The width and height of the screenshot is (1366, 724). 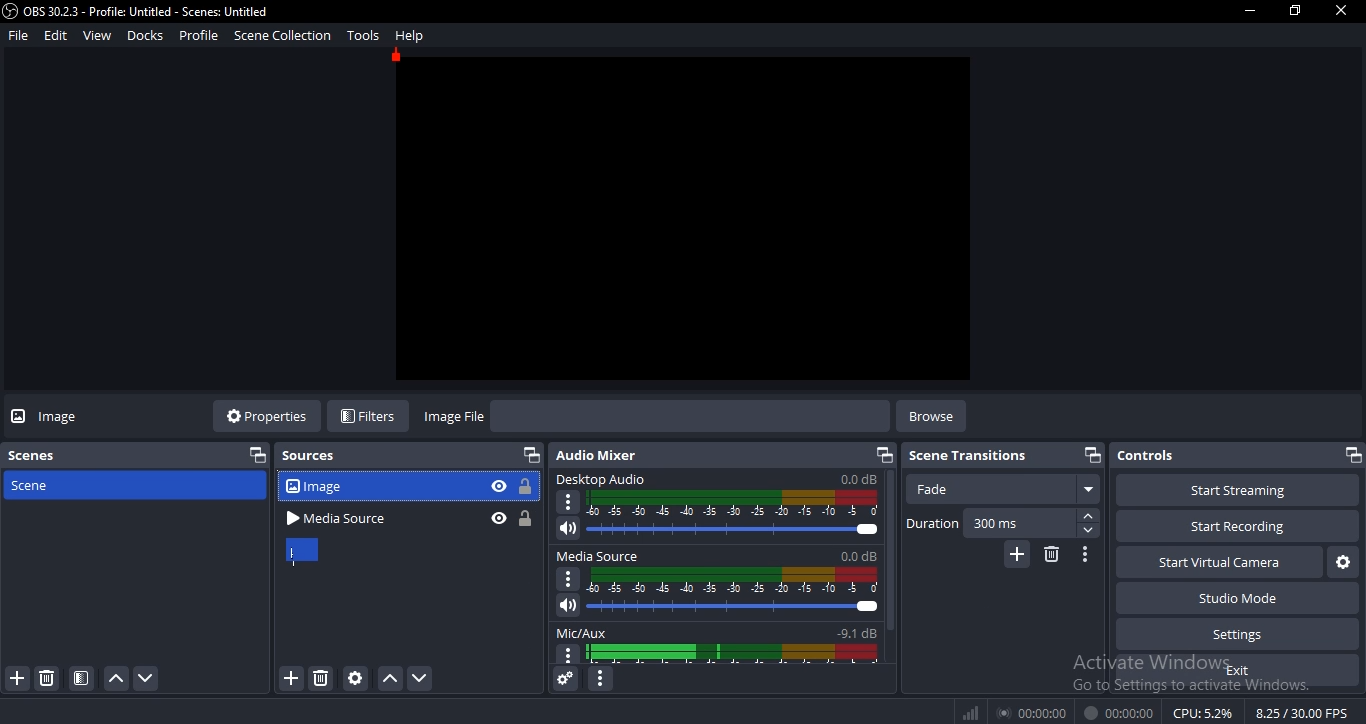 I want to click on edit, so click(x=55, y=35).